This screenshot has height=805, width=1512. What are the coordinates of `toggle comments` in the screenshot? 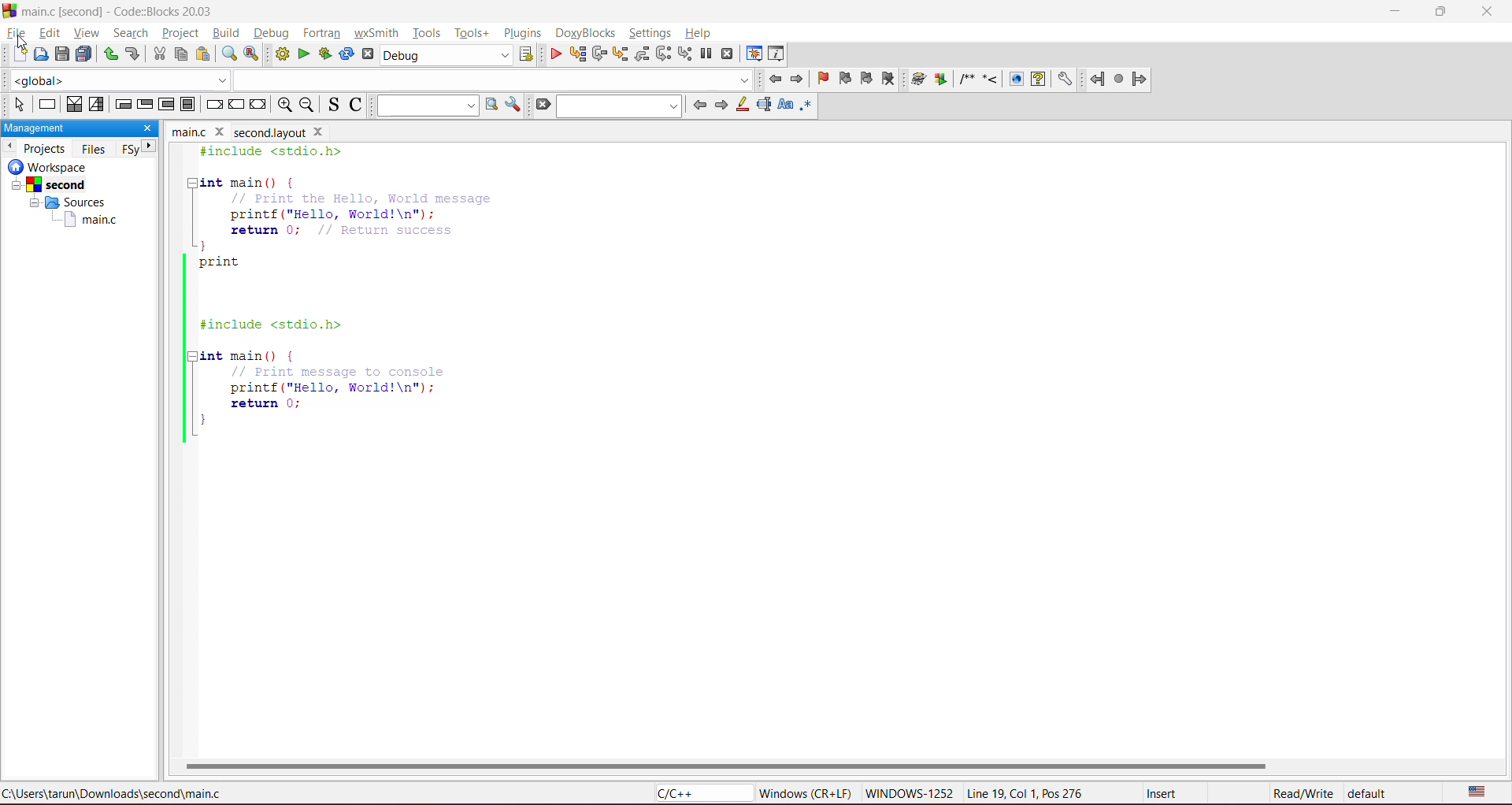 It's located at (354, 103).